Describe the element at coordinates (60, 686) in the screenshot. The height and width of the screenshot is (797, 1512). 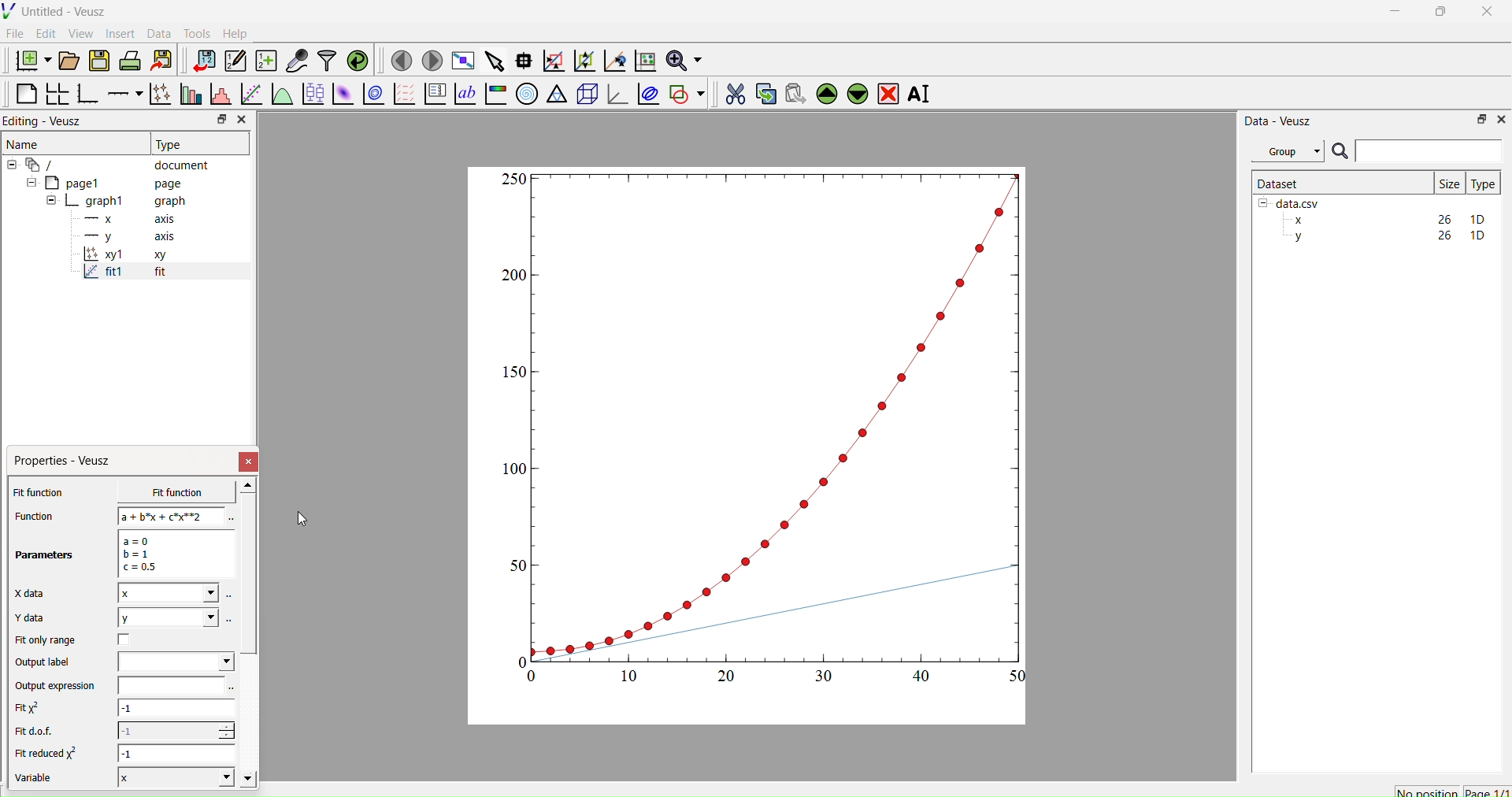
I see `Output expression` at that location.